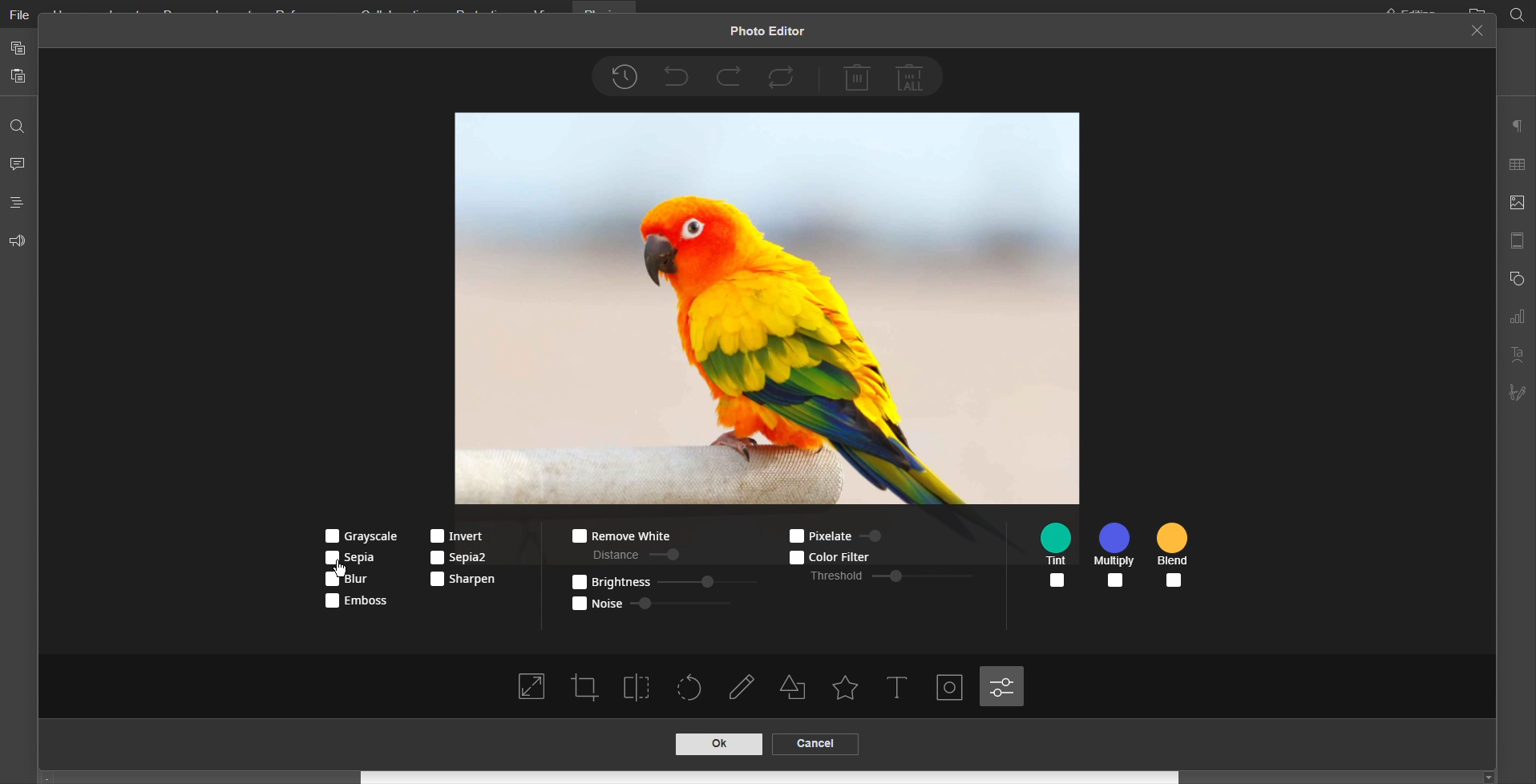  Describe the element at coordinates (798, 689) in the screenshot. I see `Shape Settings` at that location.